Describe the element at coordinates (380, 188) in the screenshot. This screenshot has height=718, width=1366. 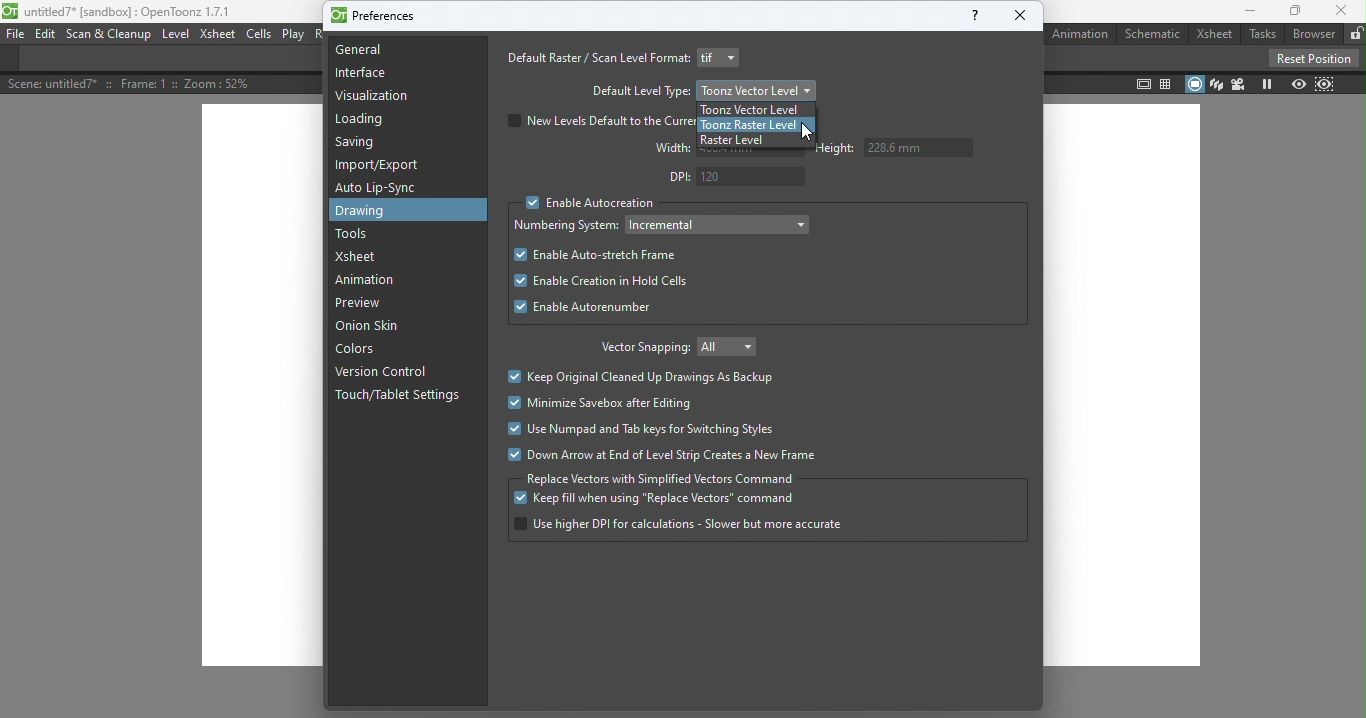
I see `Auto lip-sync` at that location.